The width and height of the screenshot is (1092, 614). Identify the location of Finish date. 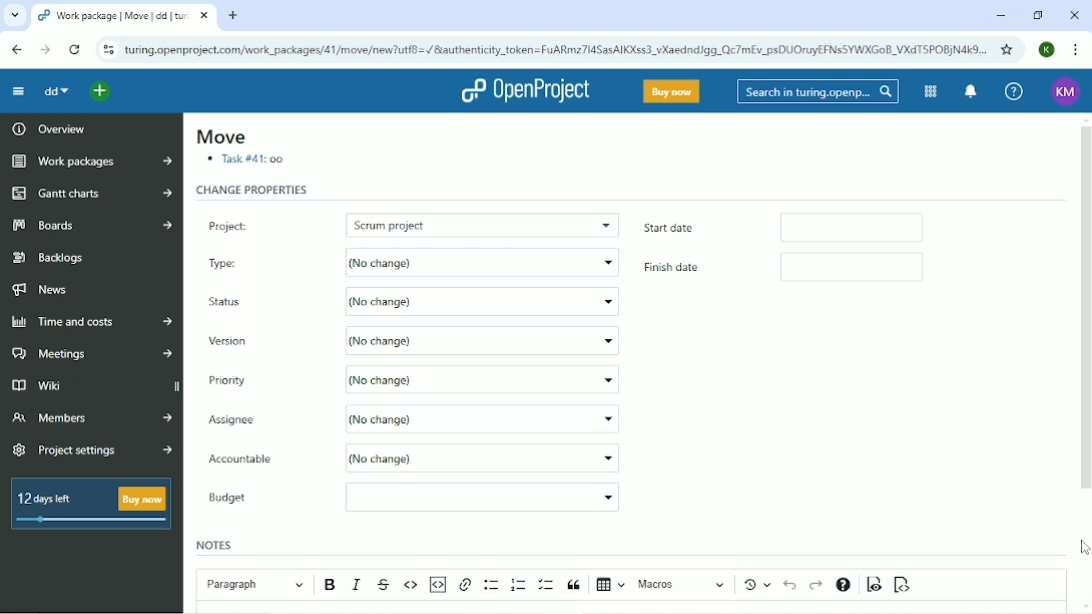
(685, 269).